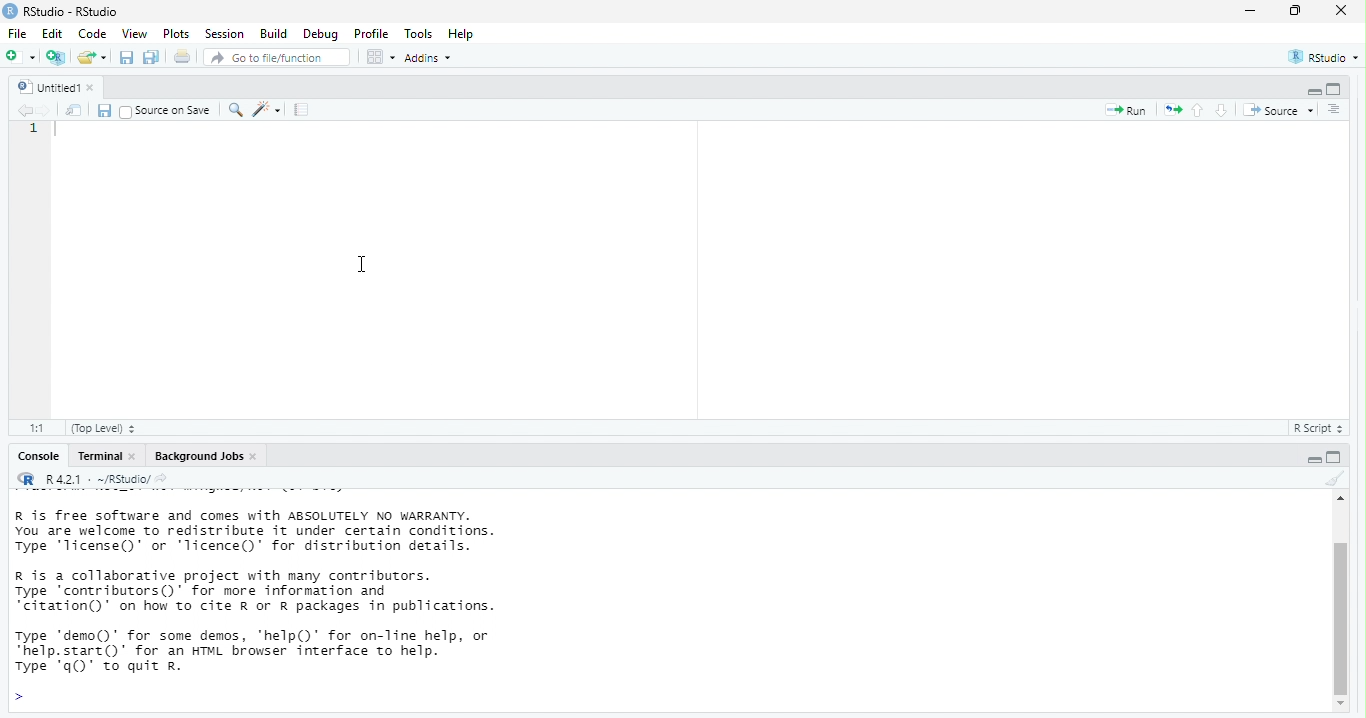  What do you see at coordinates (1311, 88) in the screenshot?
I see `minimize` at bounding box center [1311, 88].